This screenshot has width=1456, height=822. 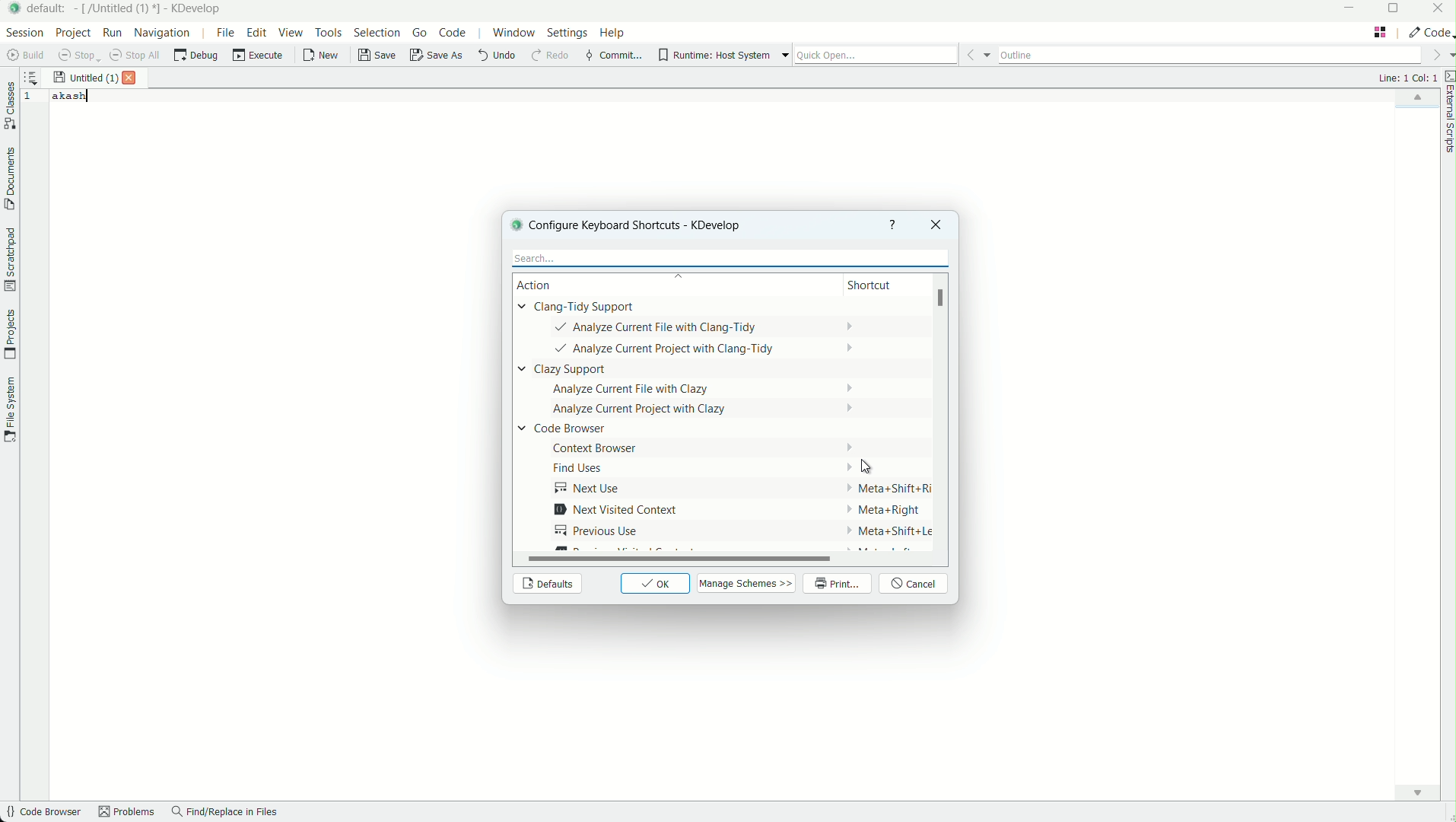 I want to click on selection menu, so click(x=377, y=33).